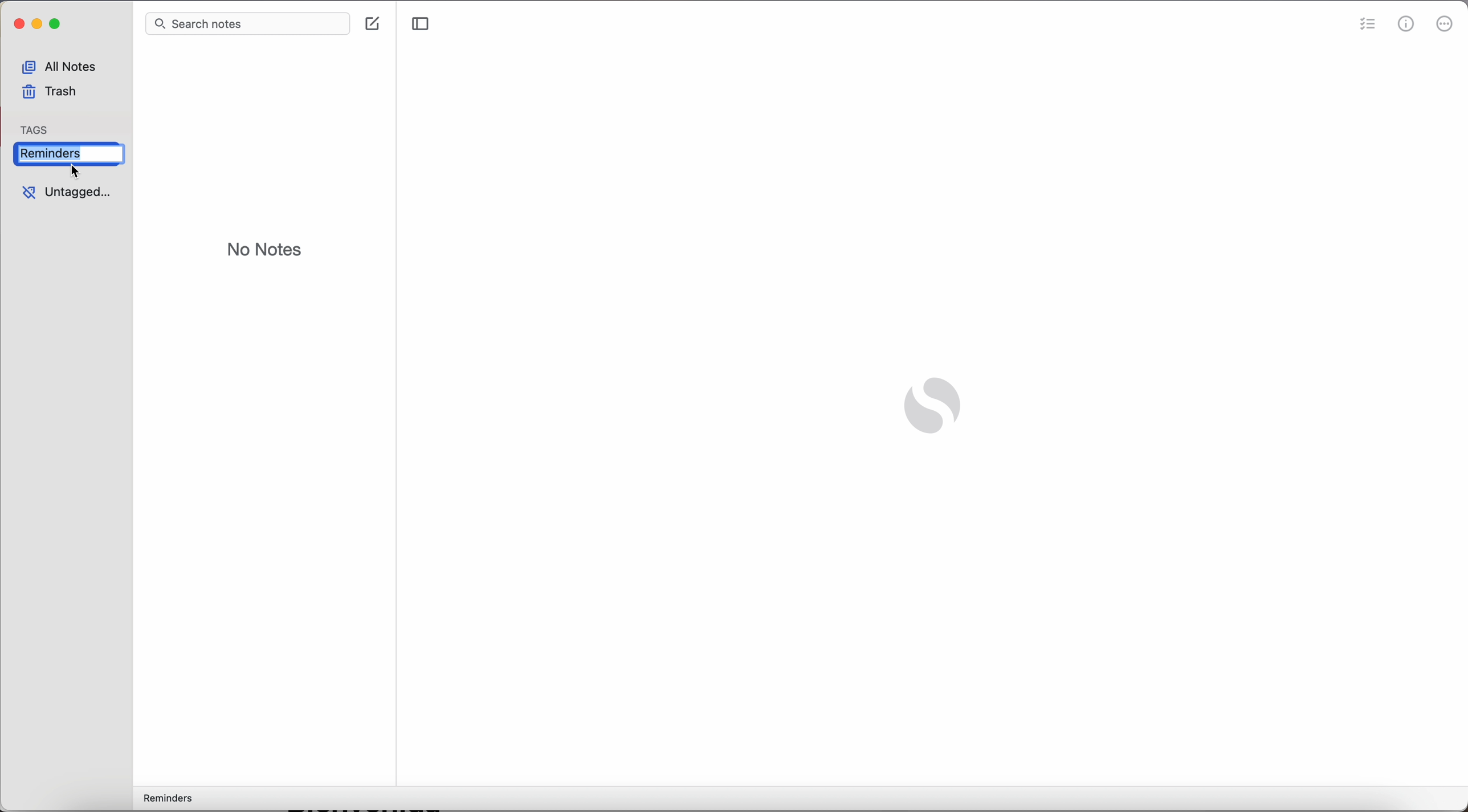 This screenshot has width=1468, height=812. Describe the element at coordinates (265, 251) in the screenshot. I see `no notes` at that location.